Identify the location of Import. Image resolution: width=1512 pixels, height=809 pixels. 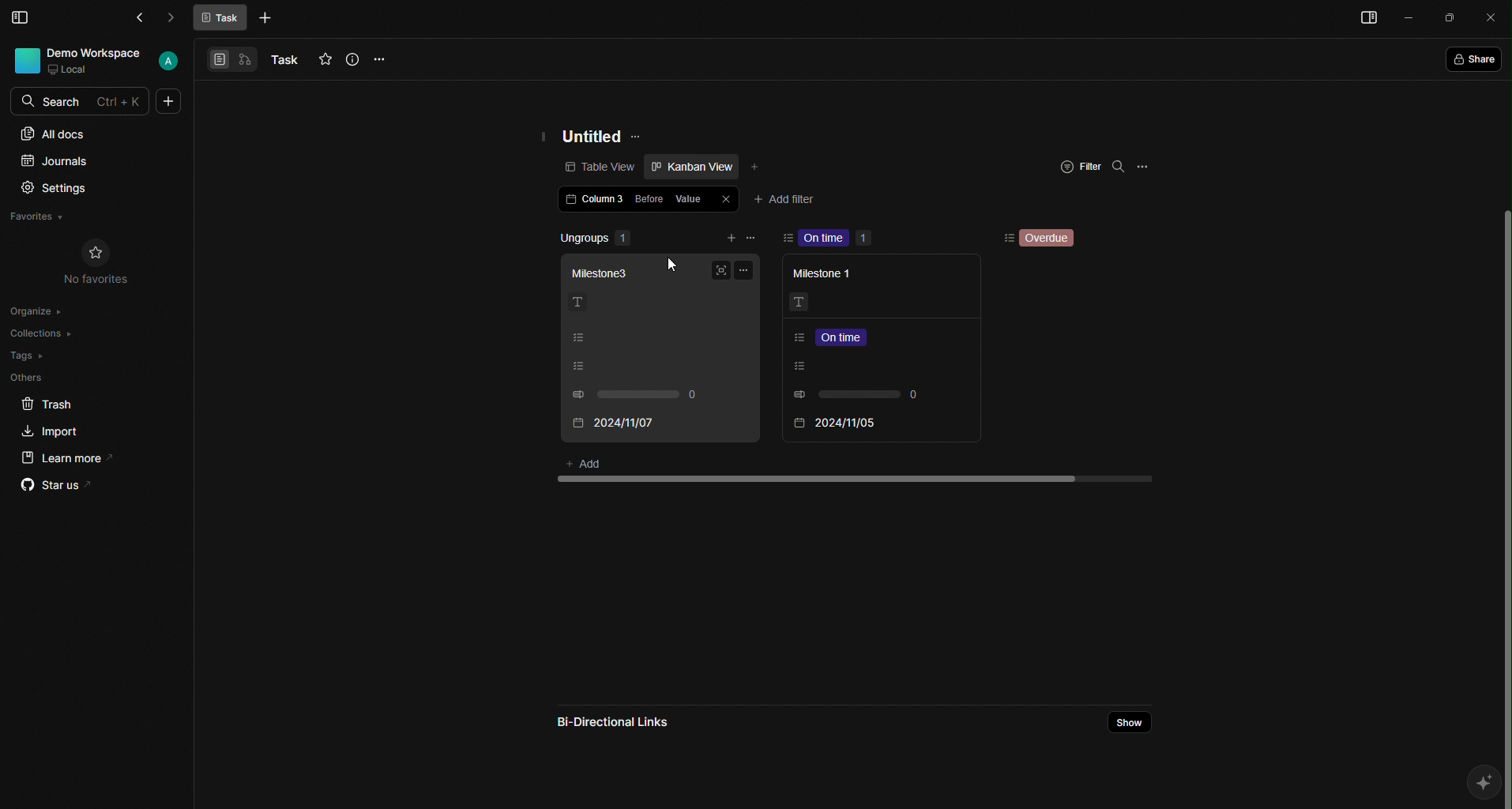
(51, 431).